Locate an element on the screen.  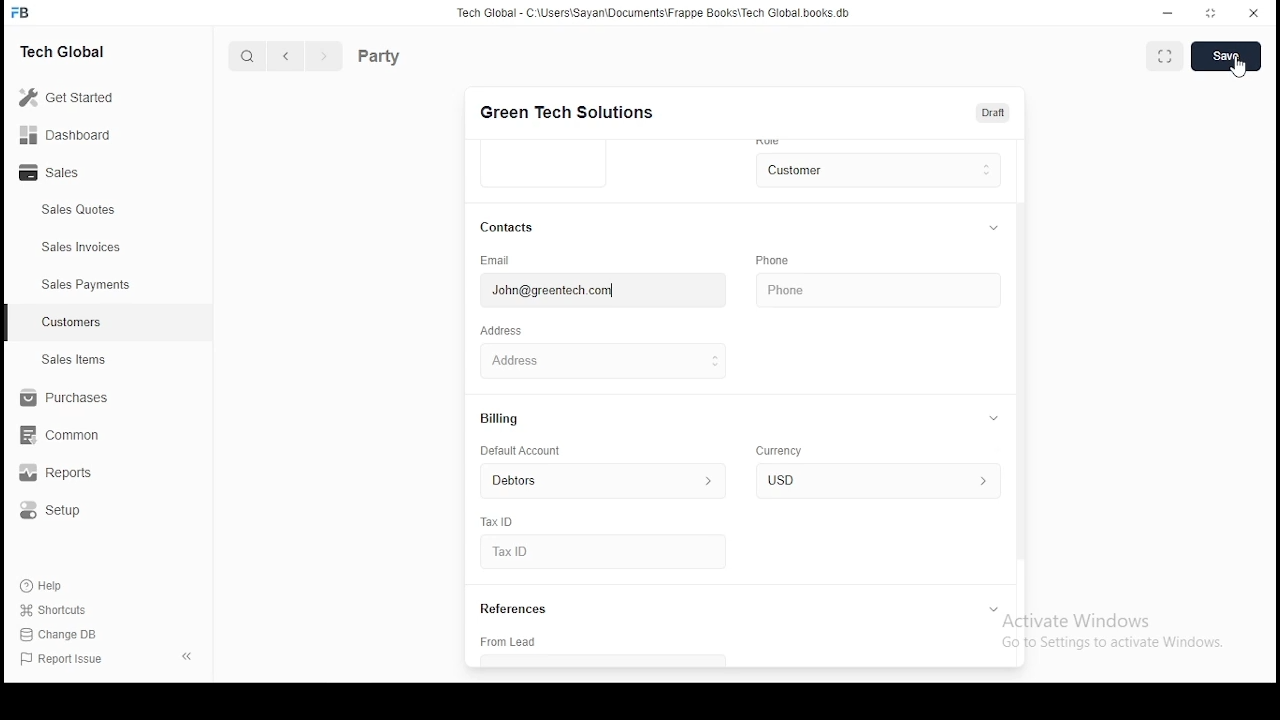
tech global - C:\users\sayan\documents\frappeboks\techgobalbooks.db is located at coordinates (655, 13).